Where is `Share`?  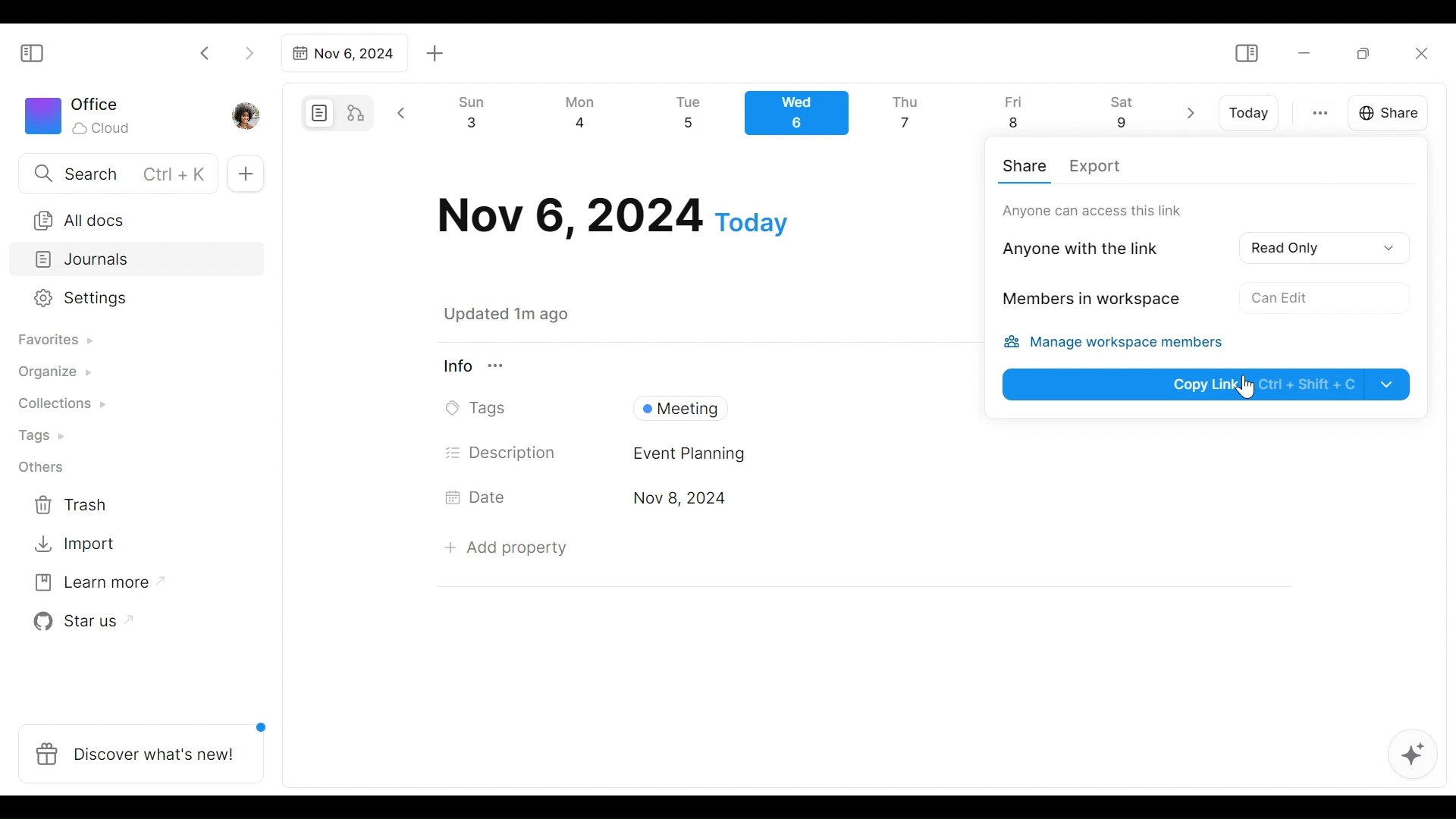 Share is located at coordinates (1384, 111).